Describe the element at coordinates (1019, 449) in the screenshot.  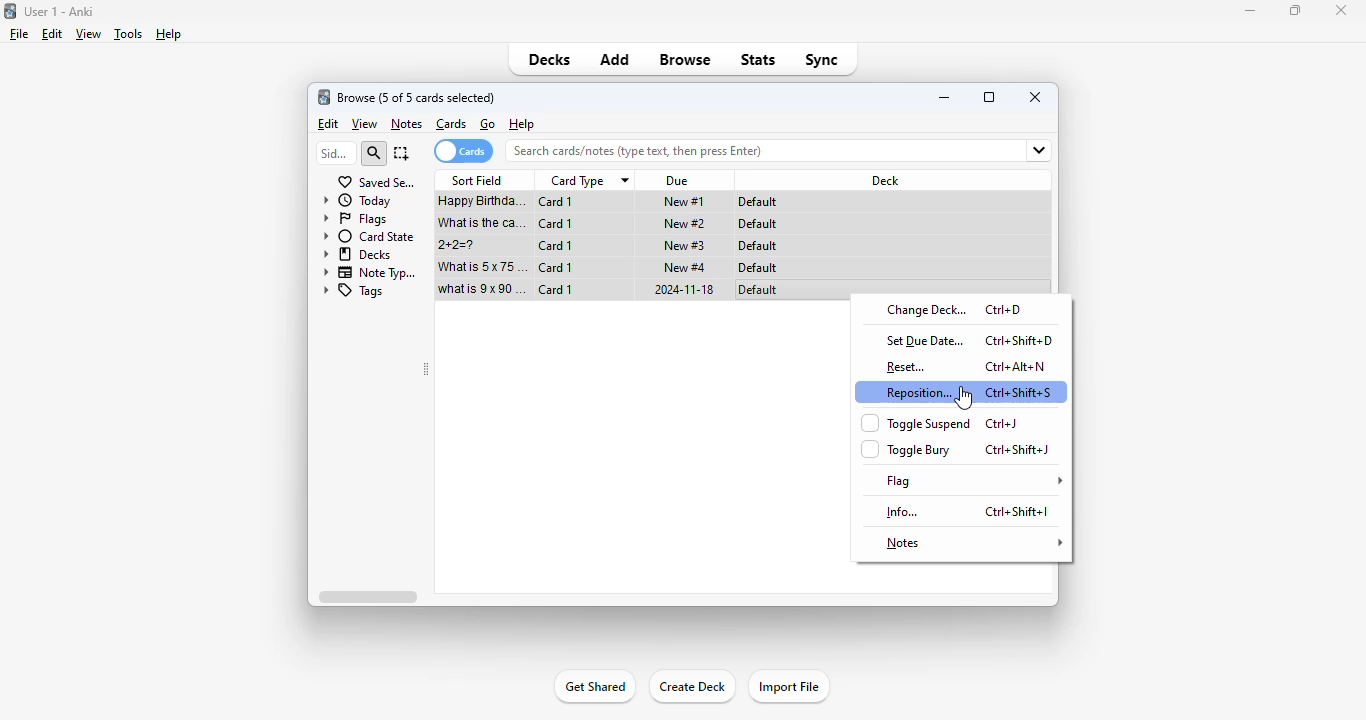
I see `shortcut for toggle bury` at that location.